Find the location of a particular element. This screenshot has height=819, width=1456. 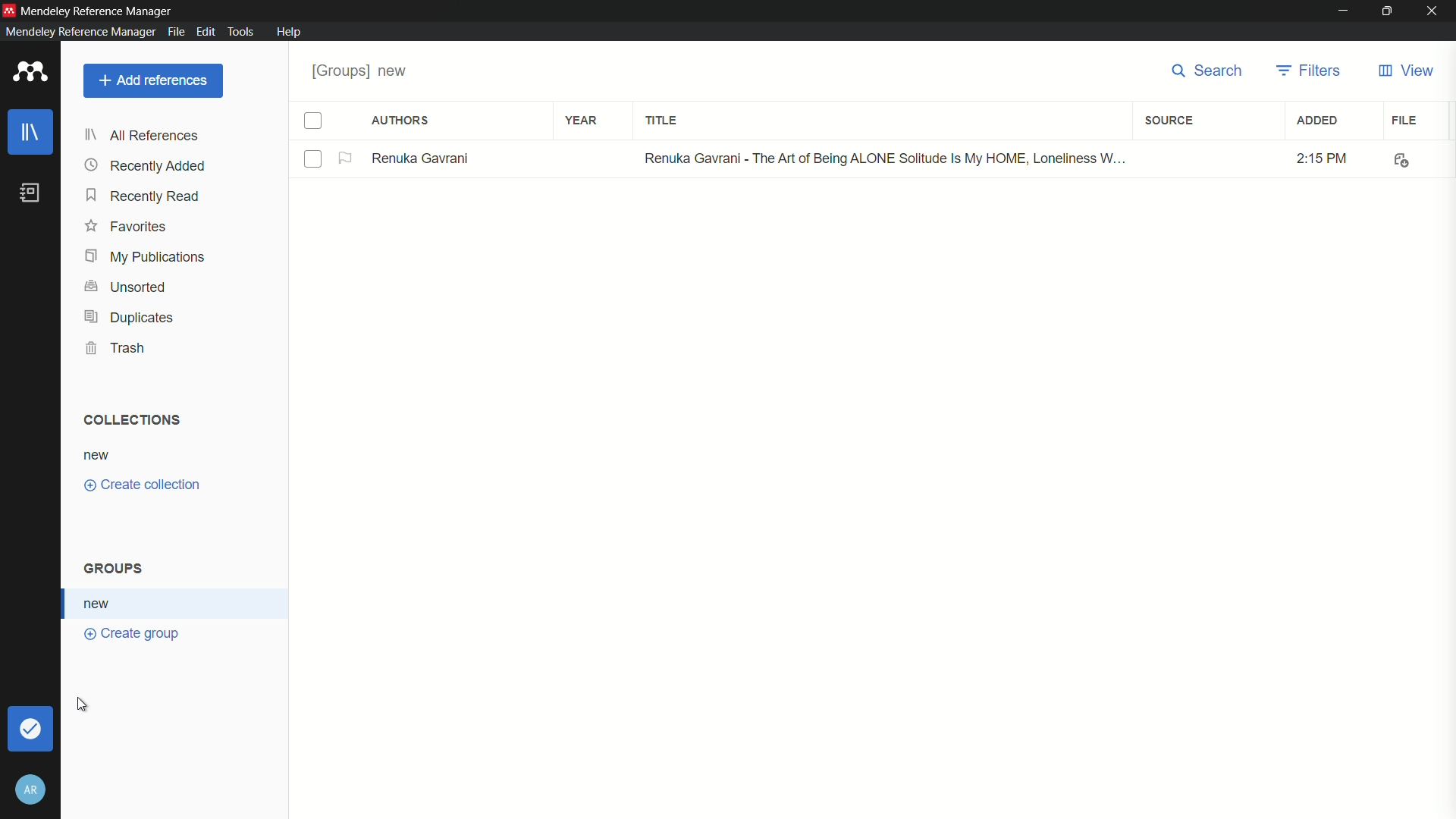

new is located at coordinates (99, 603).